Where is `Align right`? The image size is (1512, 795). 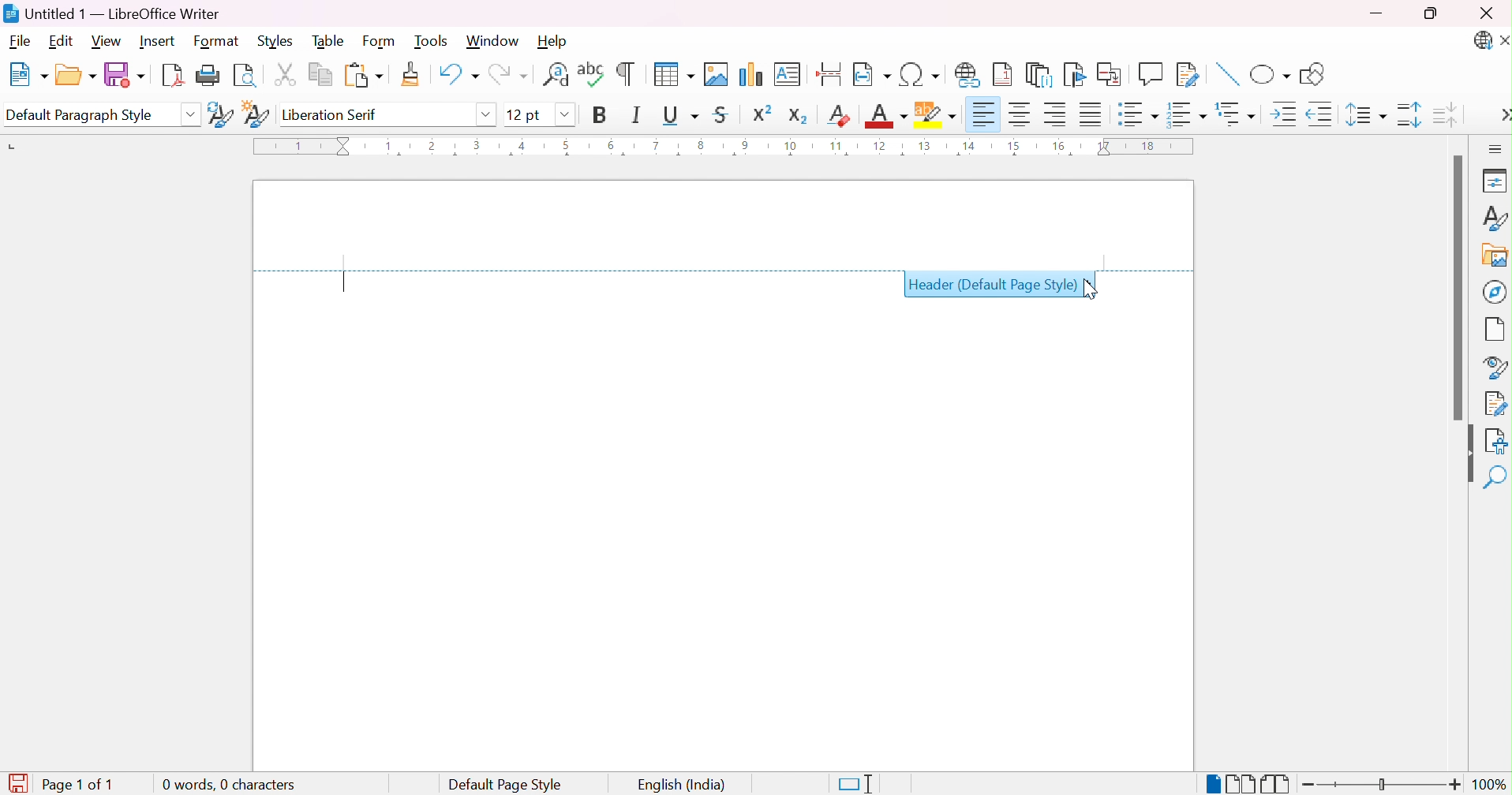 Align right is located at coordinates (1055, 114).